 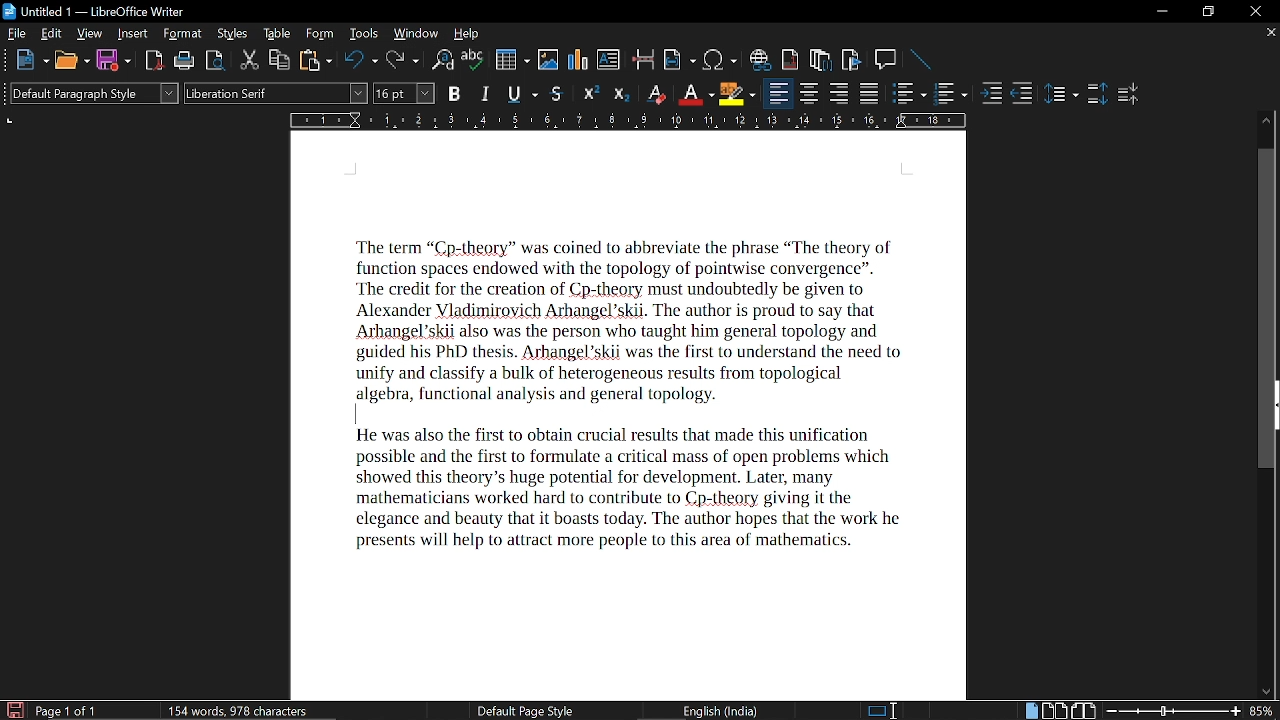 What do you see at coordinates (487, 93) in the screenshot?
I see `Italics` at bounding box center [487, 93].